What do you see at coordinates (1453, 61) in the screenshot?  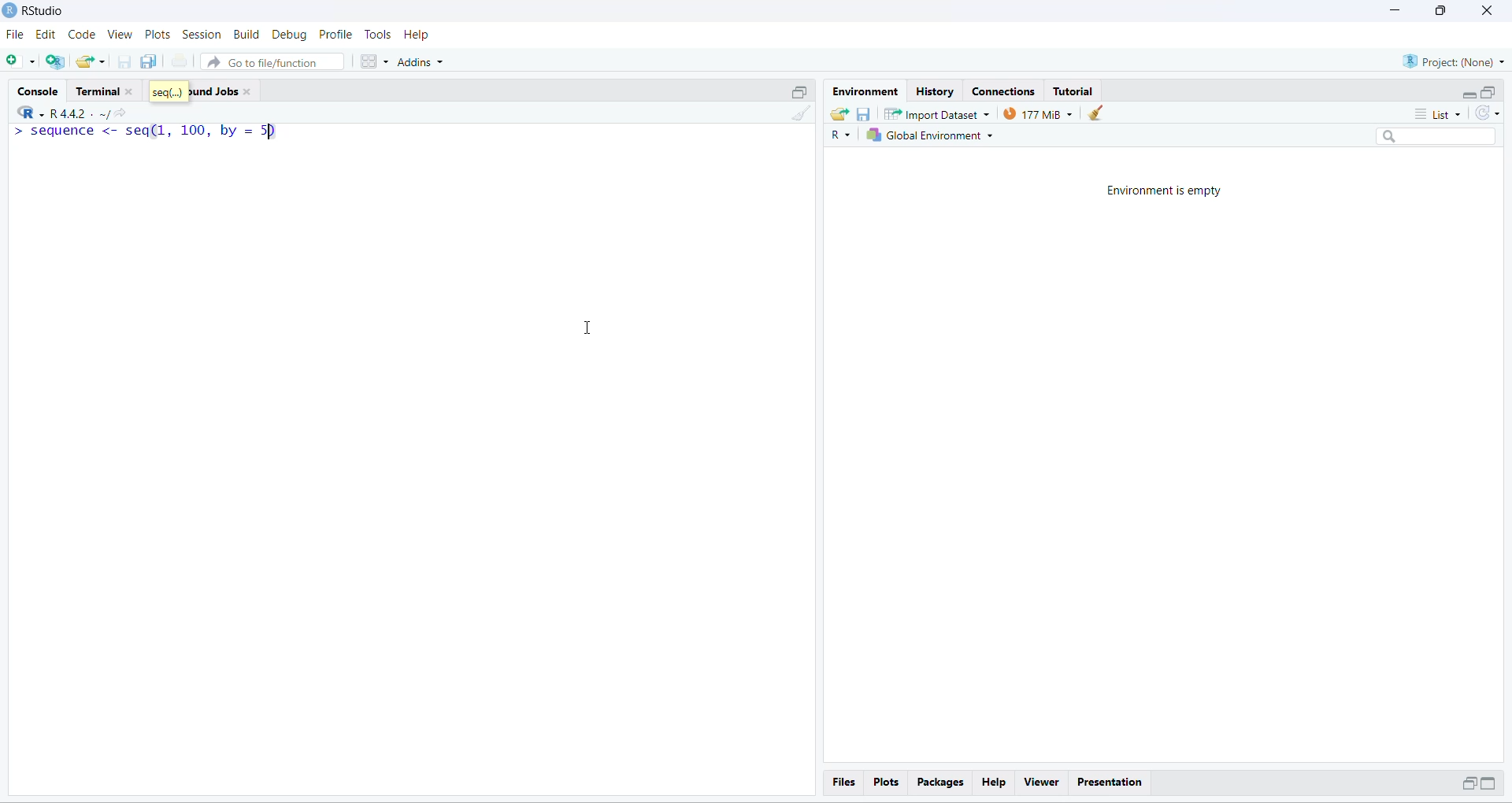 I see `project (none)` at bounding box center [1453, 61].